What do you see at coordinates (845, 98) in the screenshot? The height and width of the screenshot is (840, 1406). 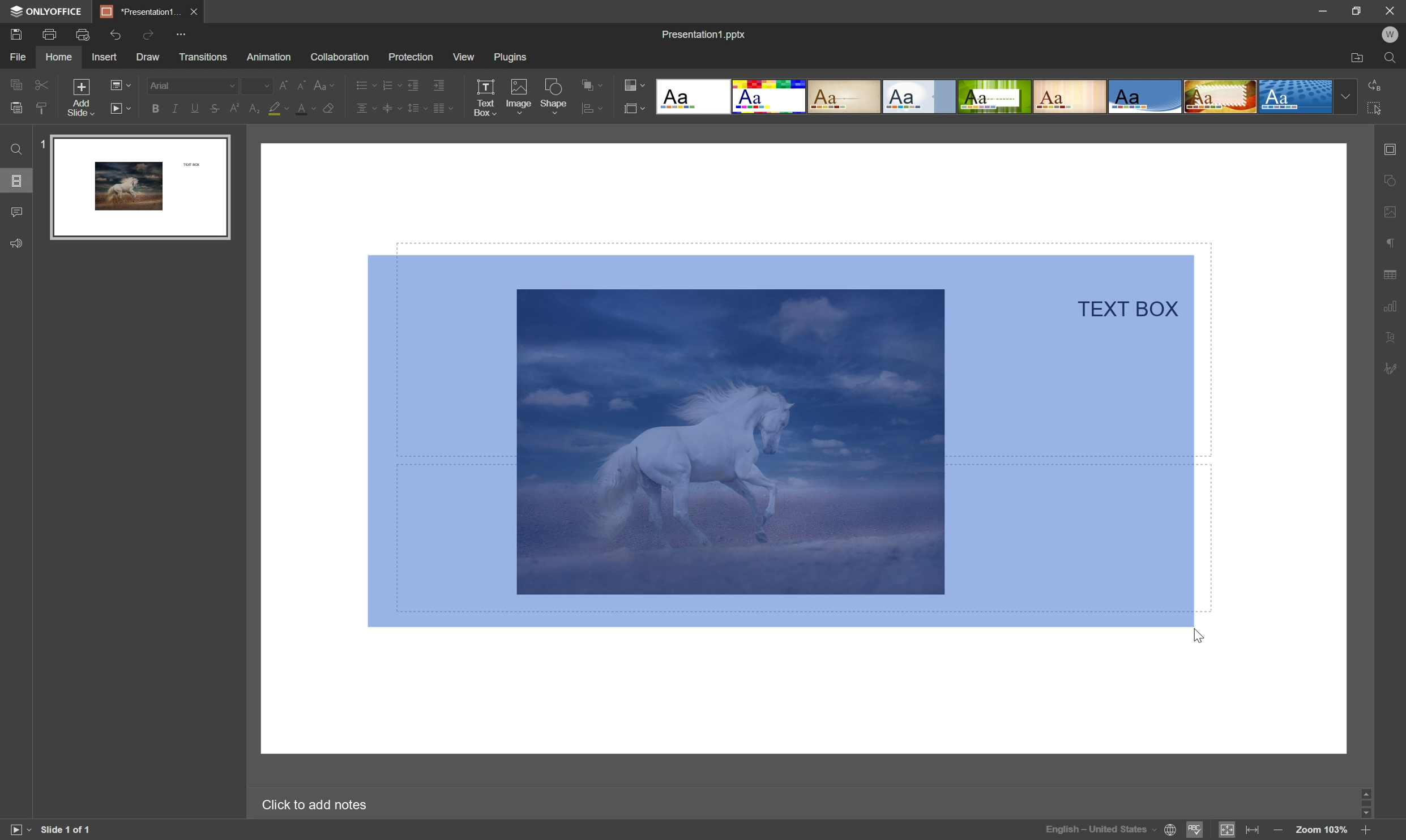 I see `Classic` at bounding box center [845, 98].